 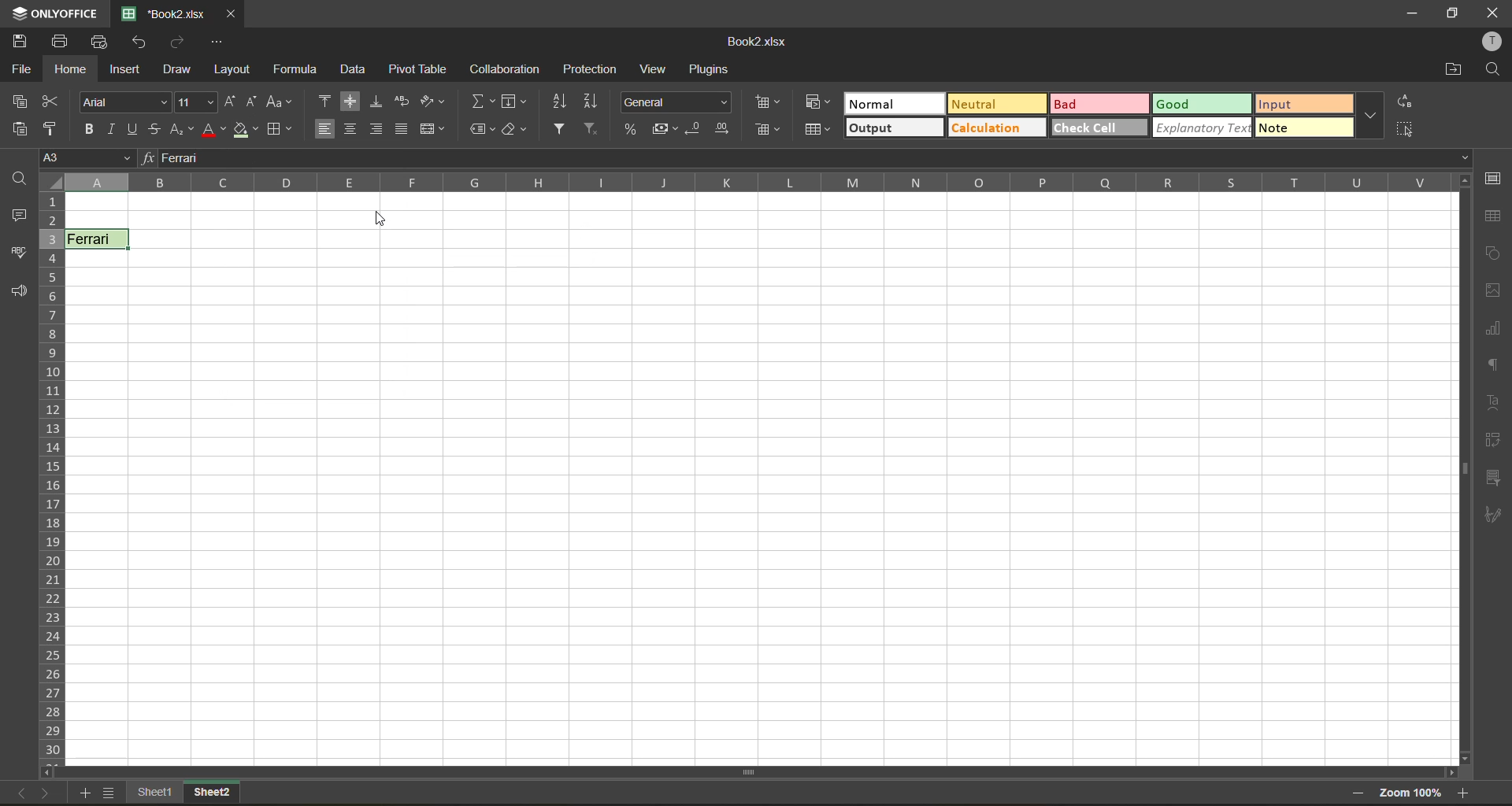 What do you see at coordinates (280, 102) in the screenshot?
I see `change case` at bounding box center [280, 102].